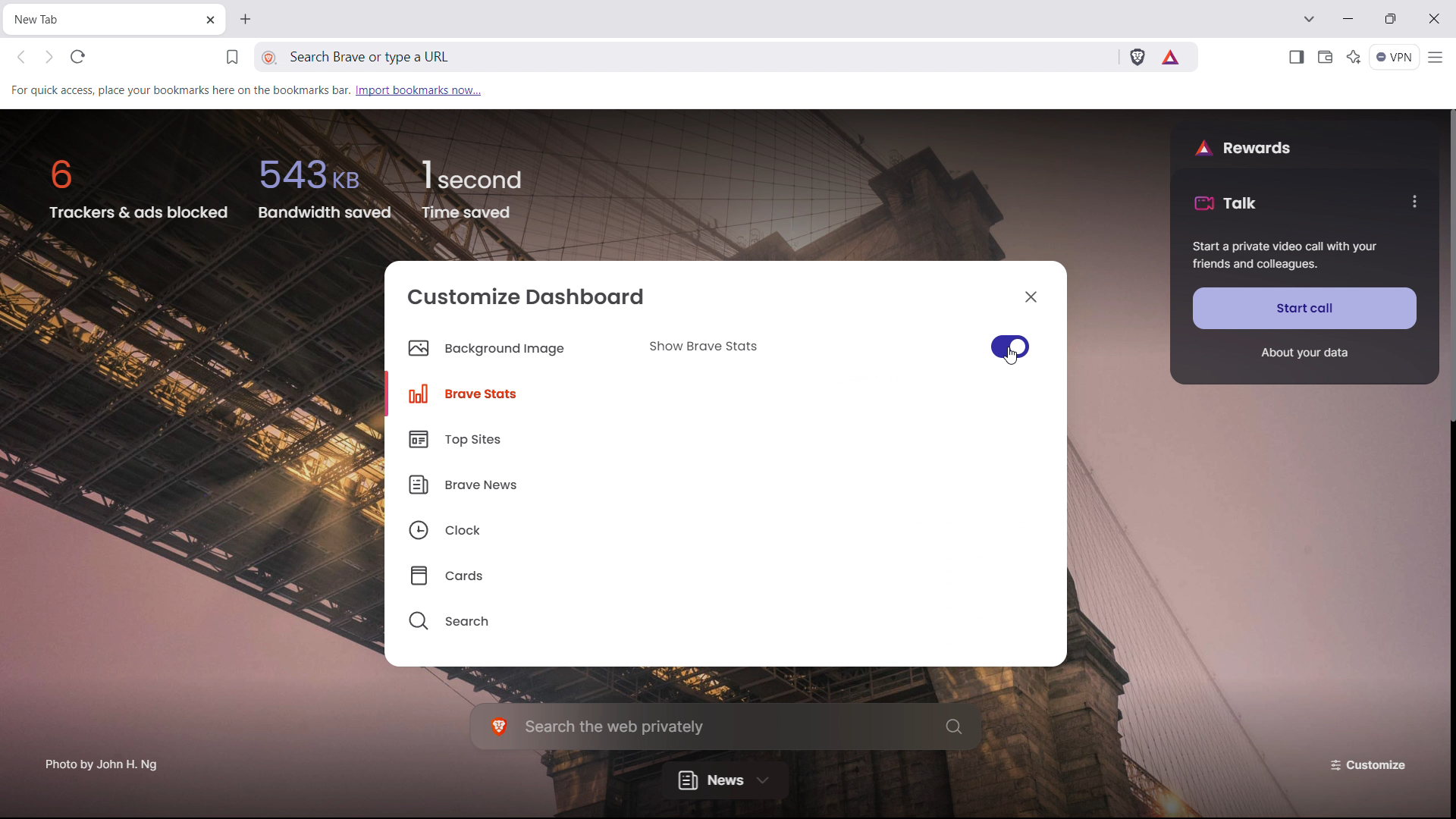 Image resolution: width=1456 pixels, height=819 pixels. Describe the element at coordinates (1305, 308) in the screenshot. I see `start call` at that location.